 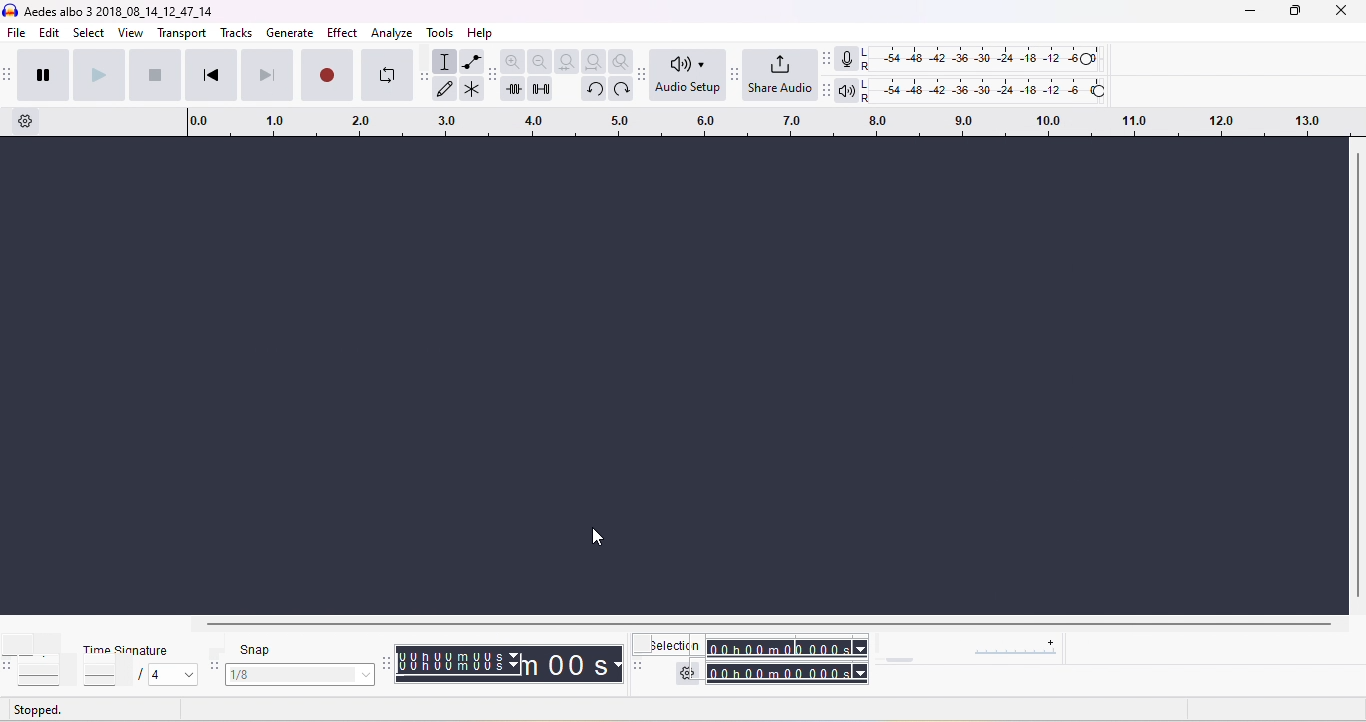 I want to click on effect, so click(x=342, y=32).